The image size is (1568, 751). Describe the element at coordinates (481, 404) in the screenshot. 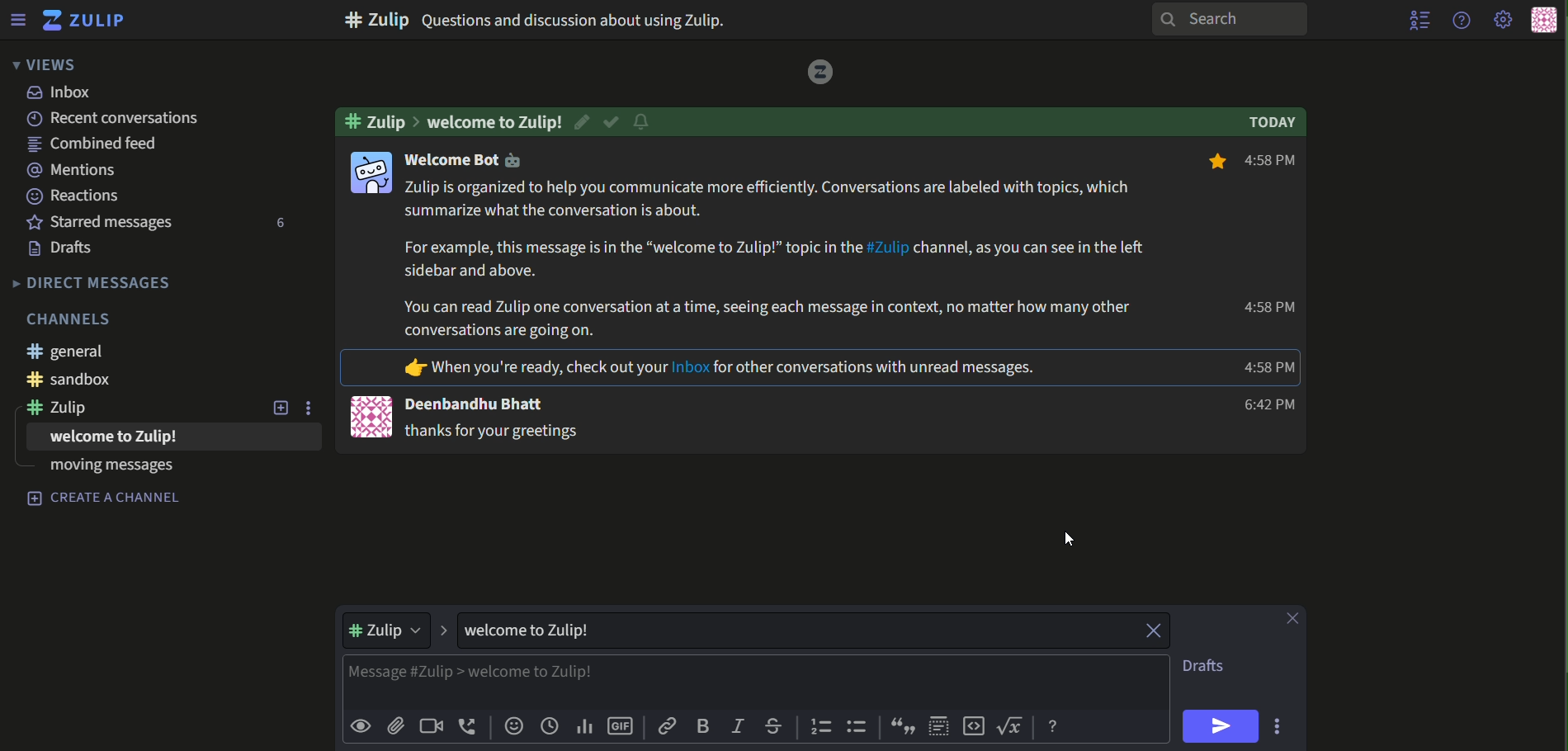

I see `text` at that location.